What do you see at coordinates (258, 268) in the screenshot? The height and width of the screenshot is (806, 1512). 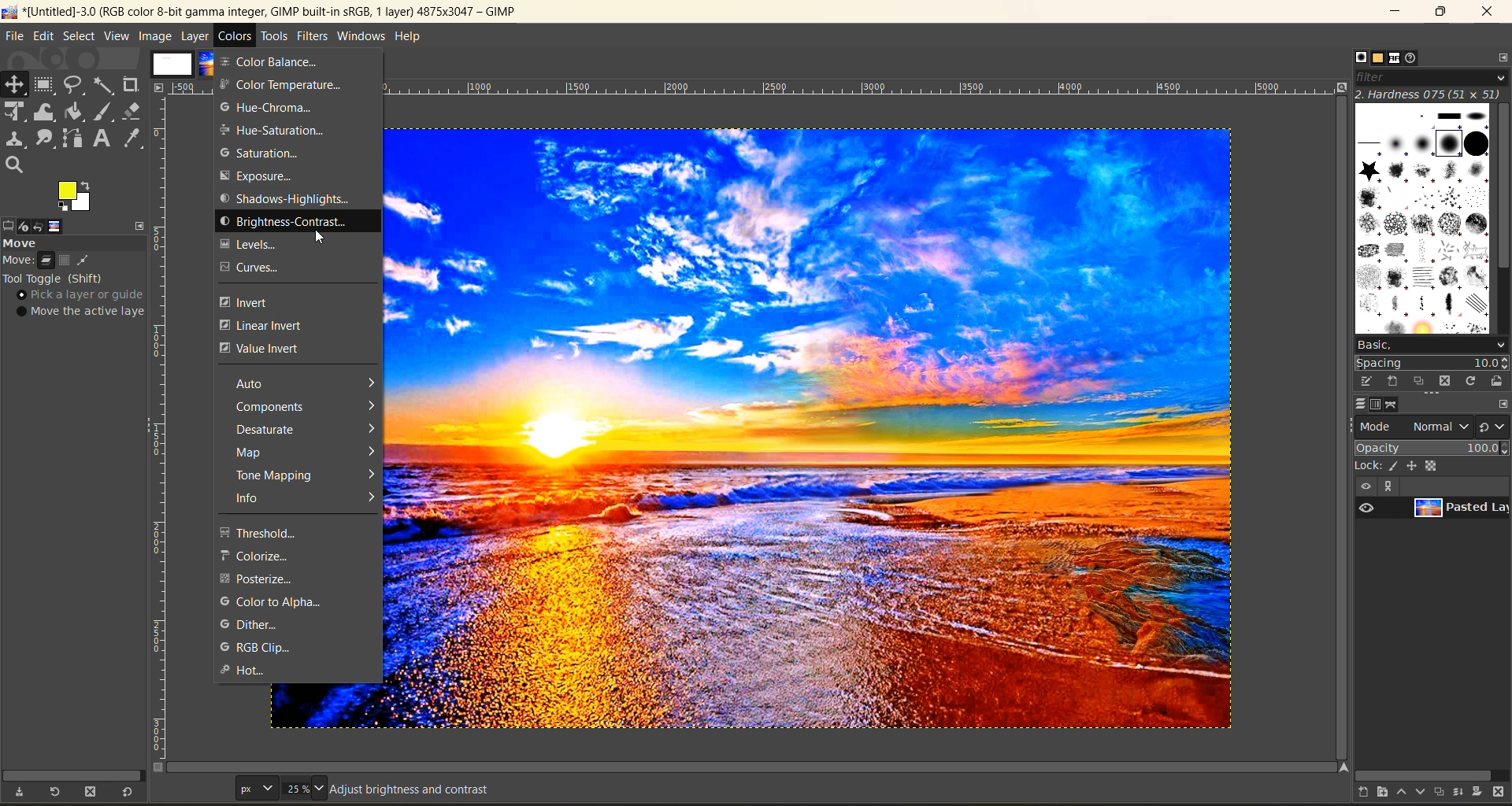 I see `curves` at bounding box center [258, 268].